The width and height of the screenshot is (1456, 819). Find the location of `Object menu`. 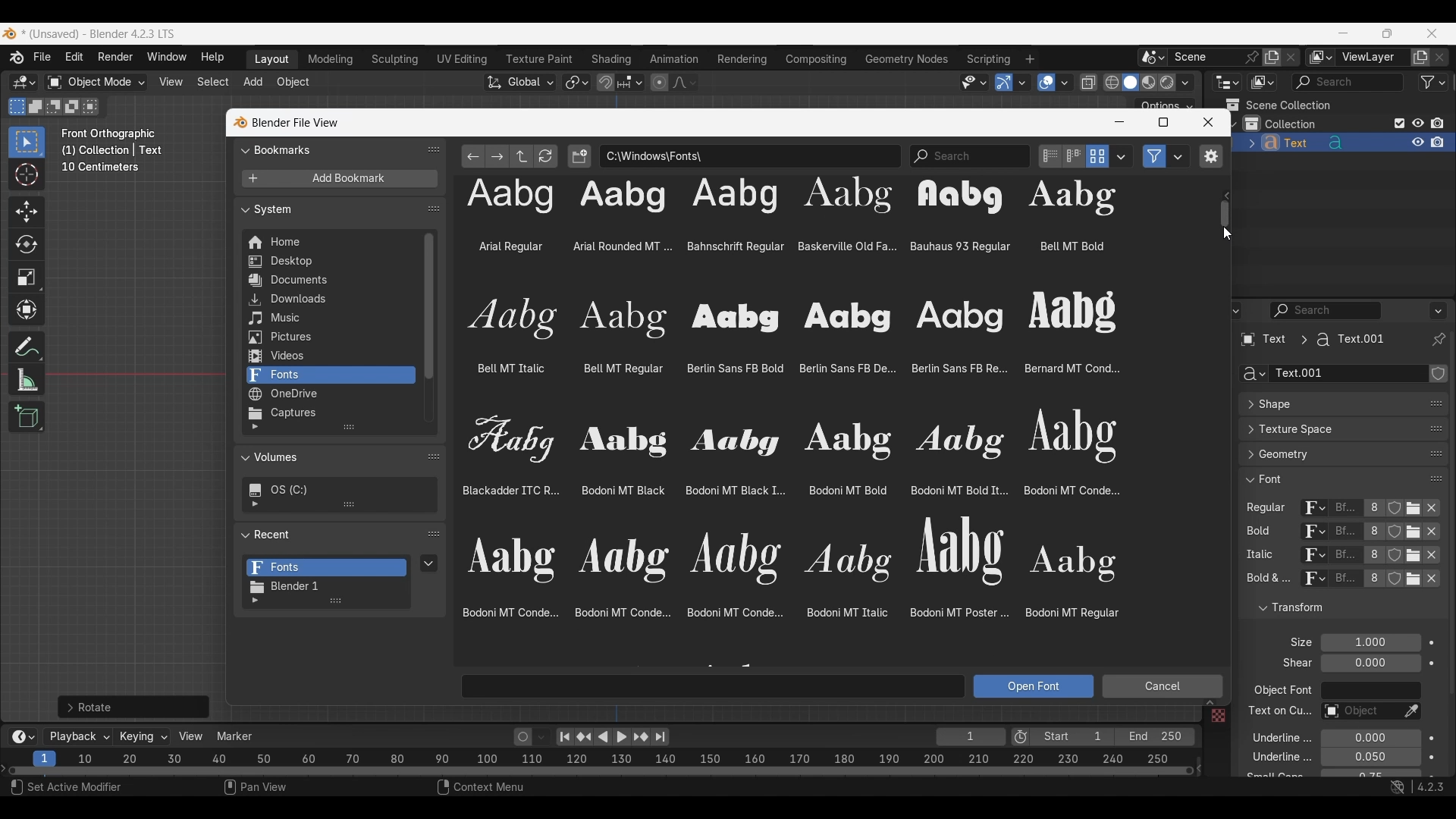

Object menu is located at coordinates (294, 83).